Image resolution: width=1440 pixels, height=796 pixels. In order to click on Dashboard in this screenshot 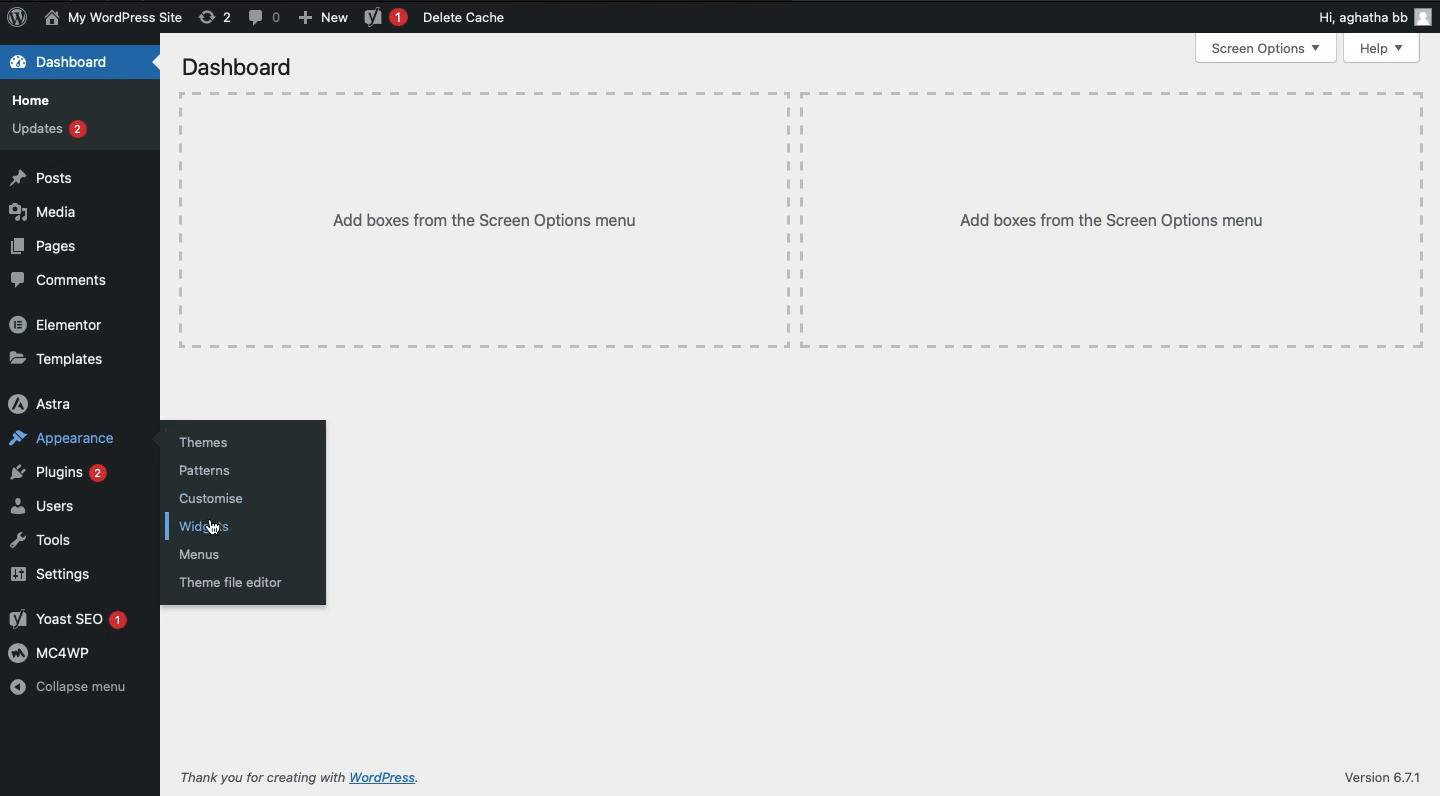, I will do `click(74, 64)`.